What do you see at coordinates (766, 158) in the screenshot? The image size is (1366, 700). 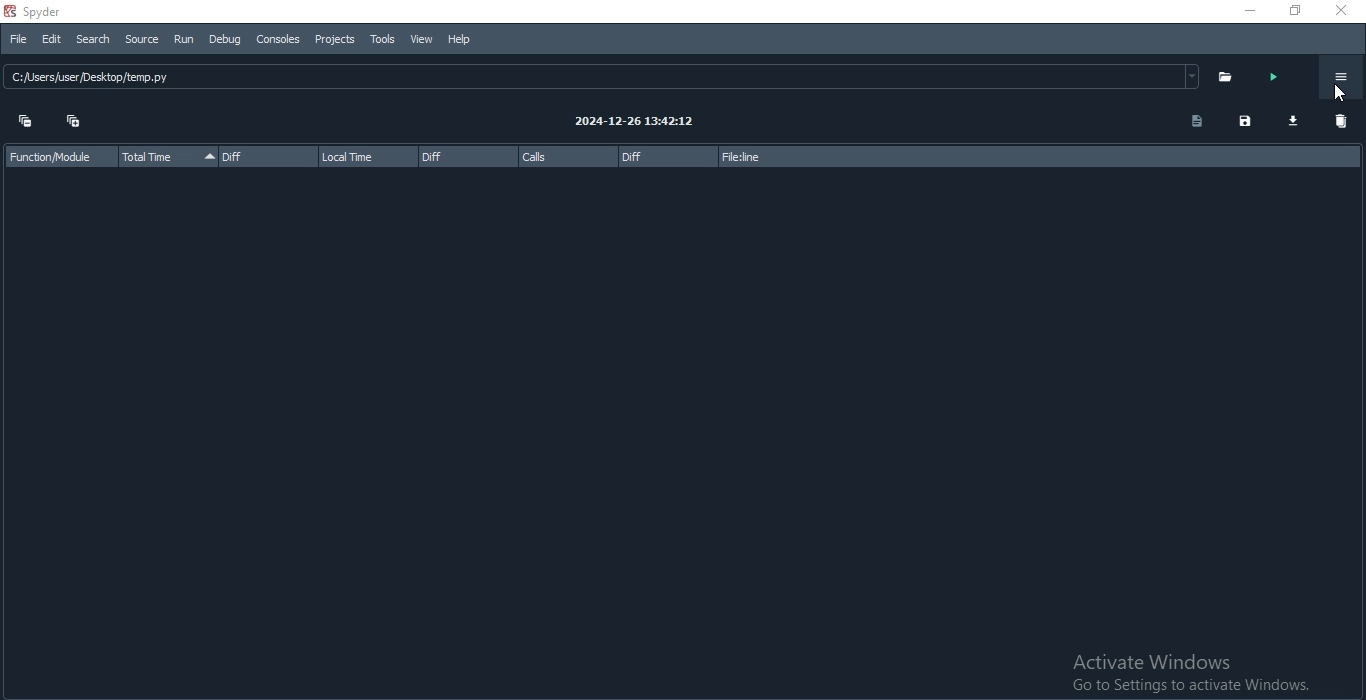 I see `file:line` at bounding box center [766, 158].